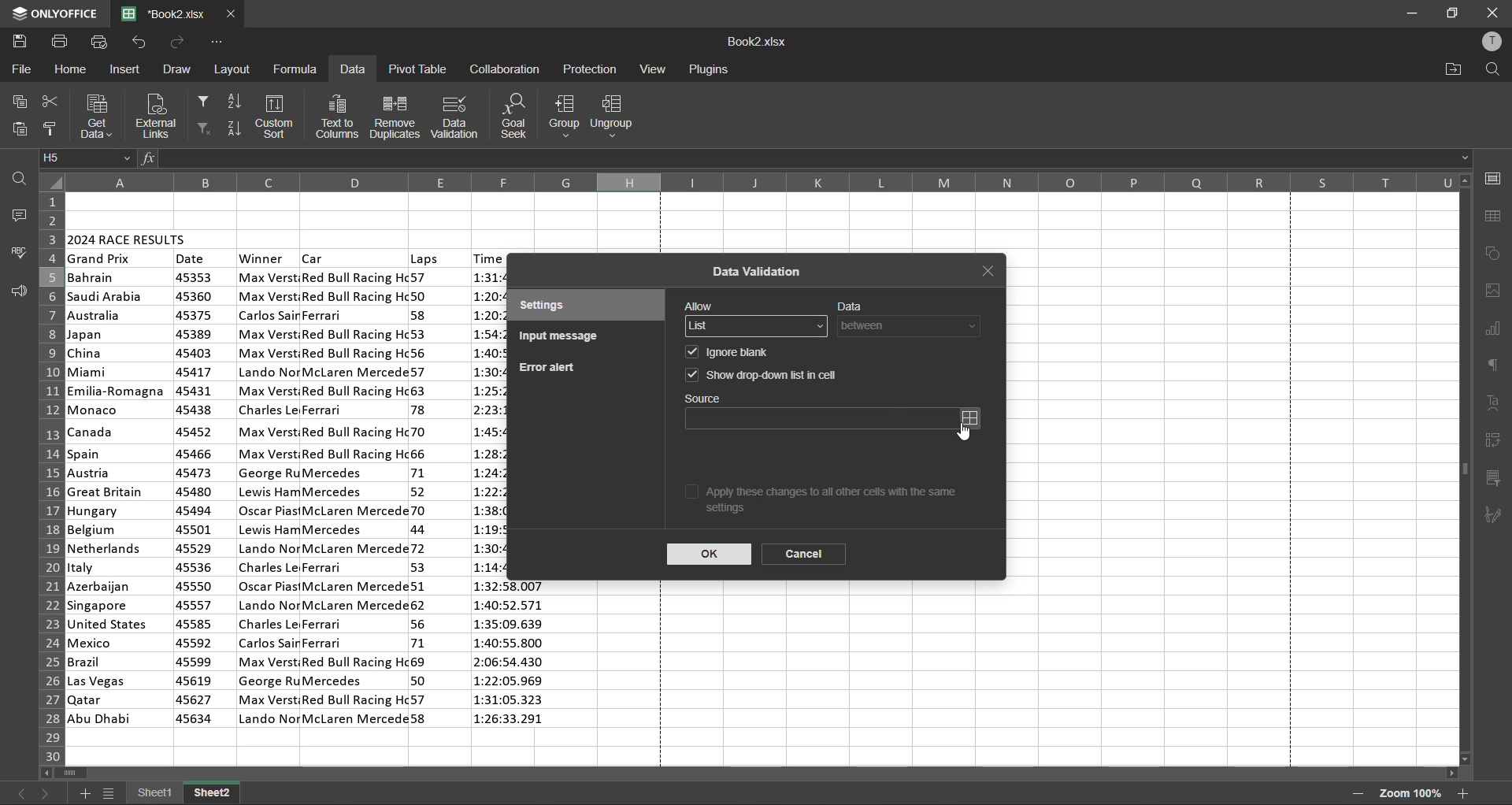 The image size is (1512, 805). What do you see at coordinates (235, 103) in the screenshot?
I see `sort ascending` at bounding box center [235, 103].